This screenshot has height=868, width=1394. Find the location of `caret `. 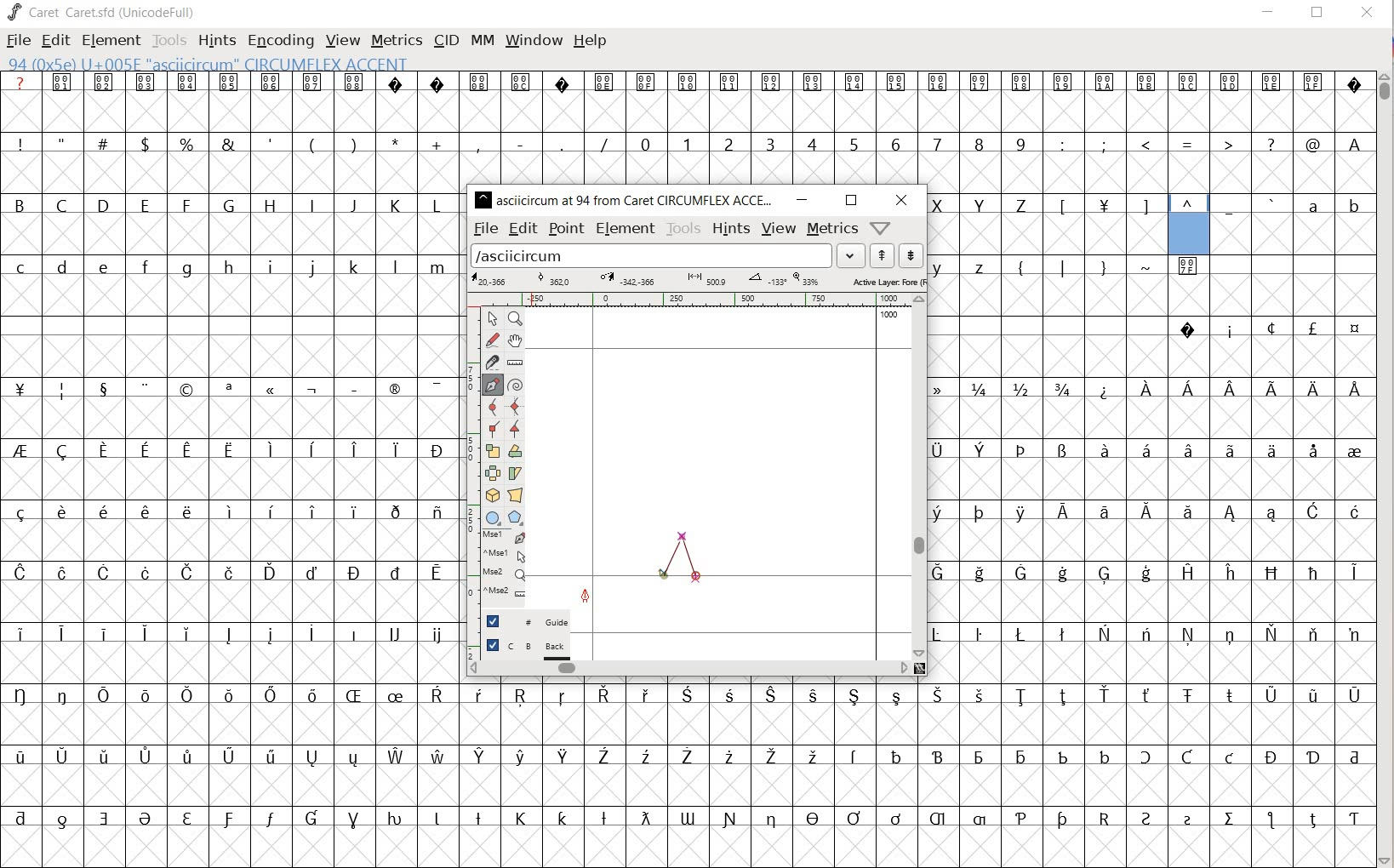

caret  is located at coordinates (675, 558).